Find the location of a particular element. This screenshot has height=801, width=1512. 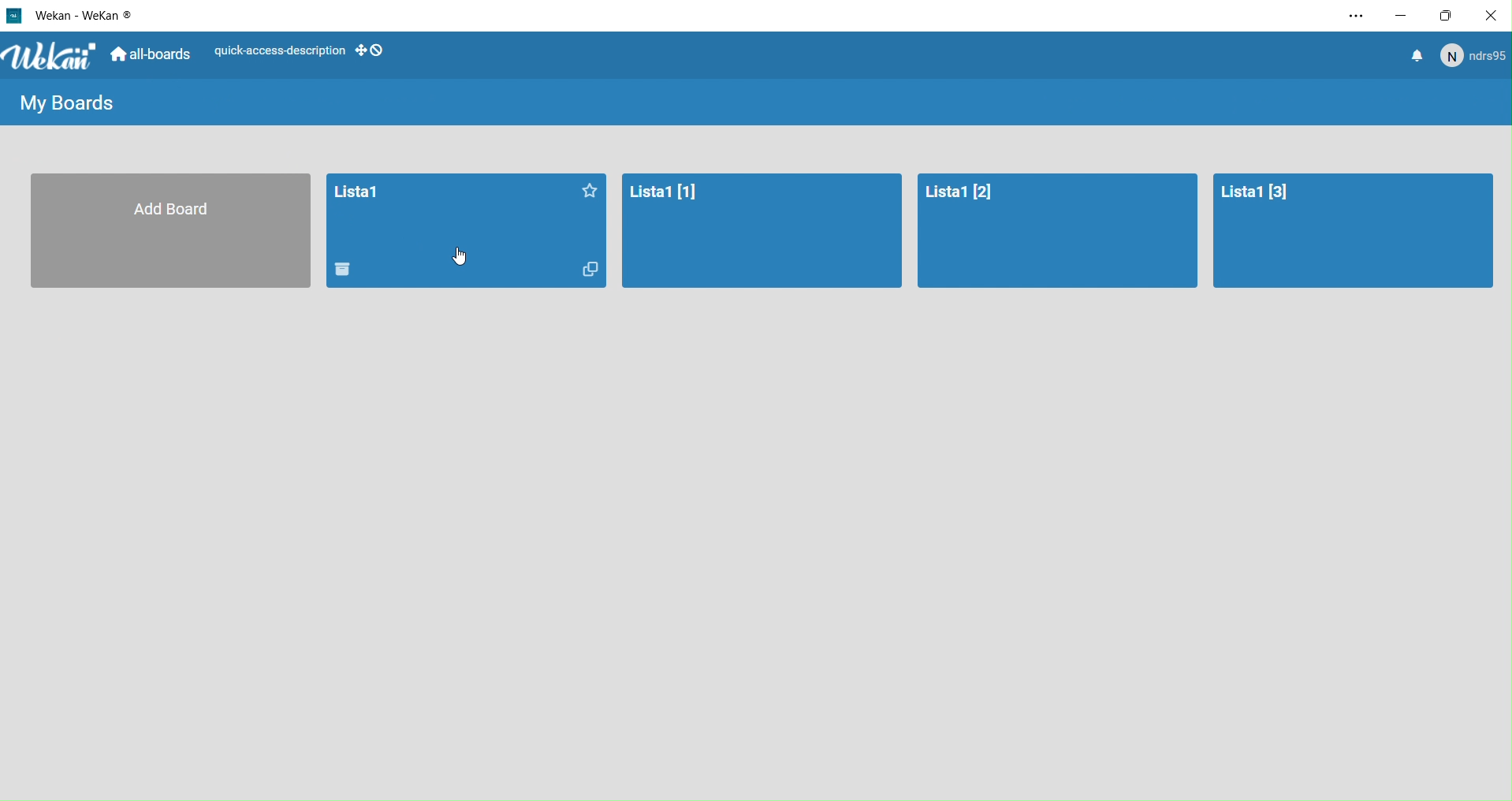

Board4 is located at coordinates (1354, 233).